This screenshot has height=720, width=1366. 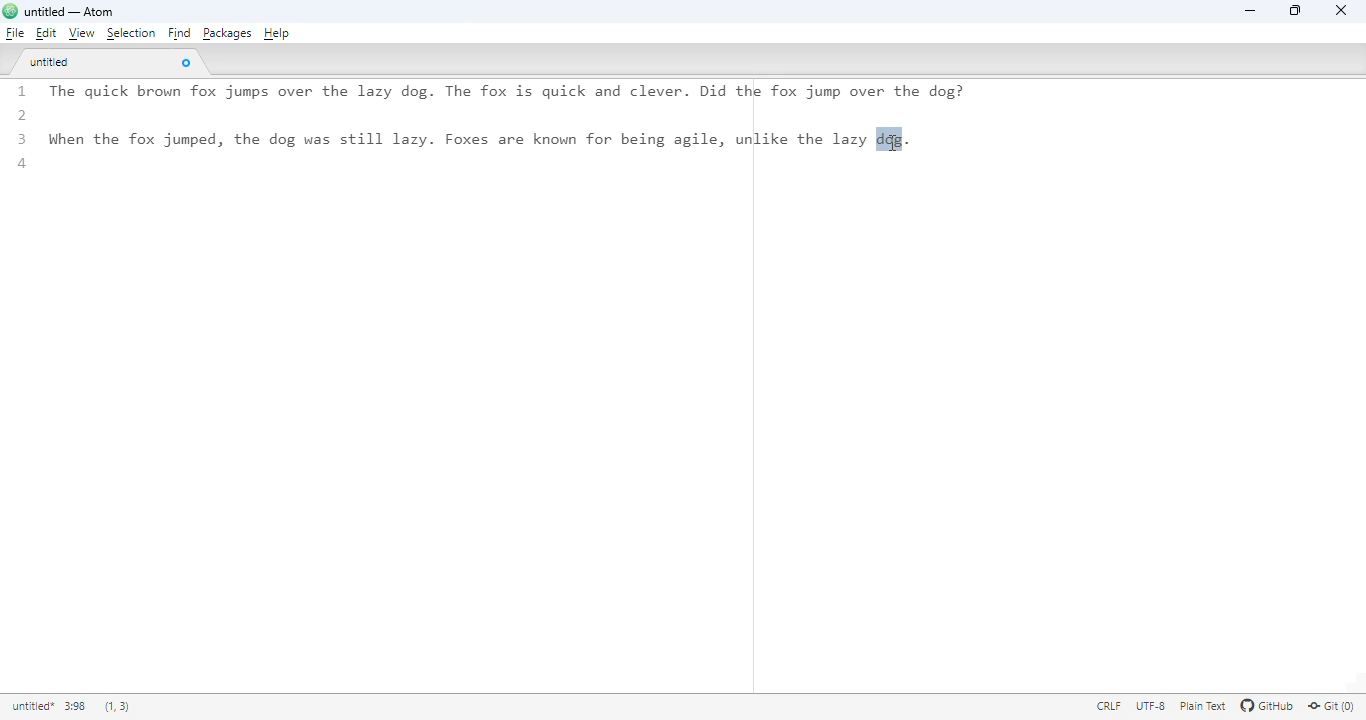 What do you see at coordinates (1151, 707) in the screenshot?
I see `UTF-8` at bounding box center [1151, 707].